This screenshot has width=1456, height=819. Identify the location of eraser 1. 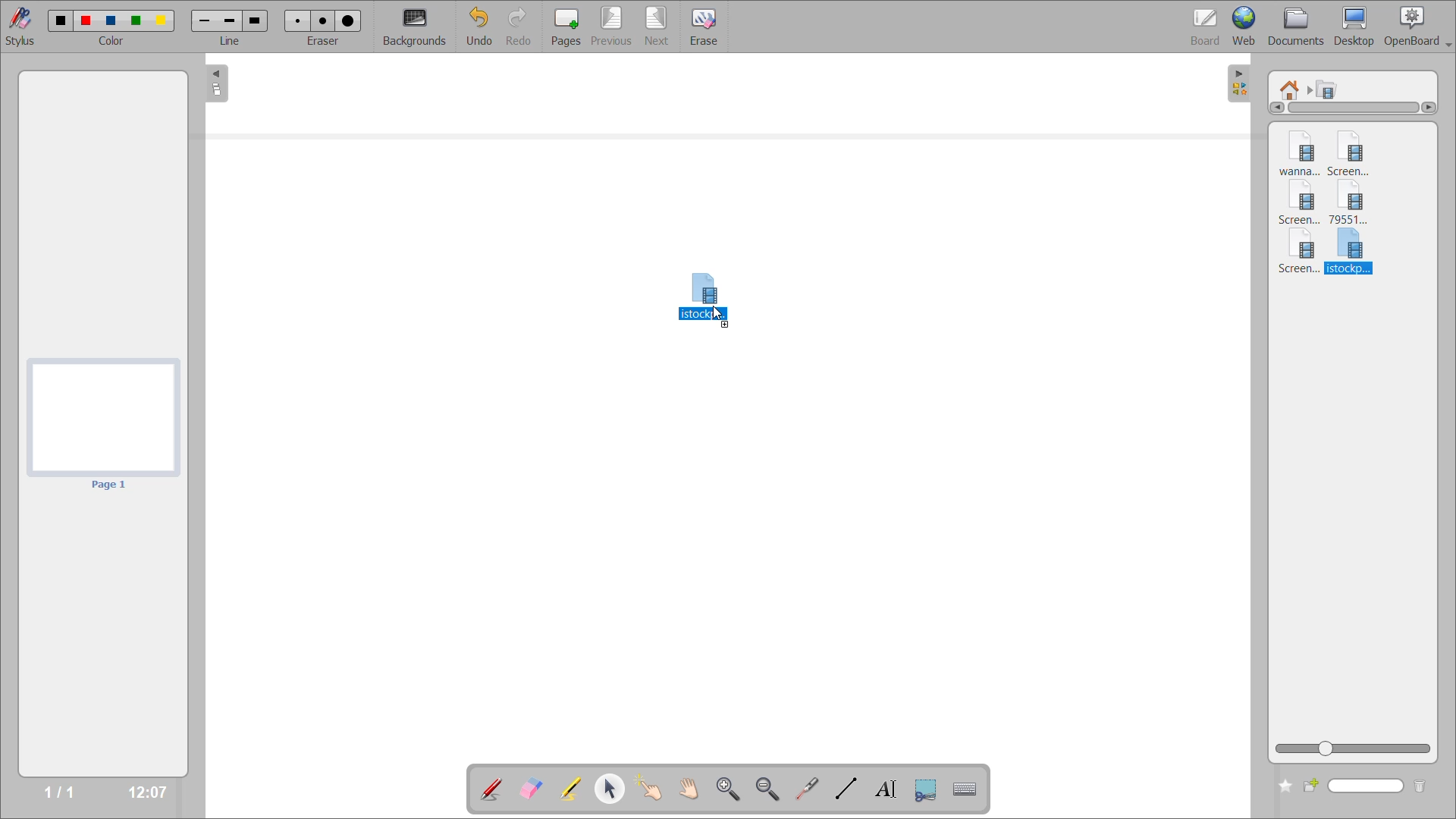
(300, 20).